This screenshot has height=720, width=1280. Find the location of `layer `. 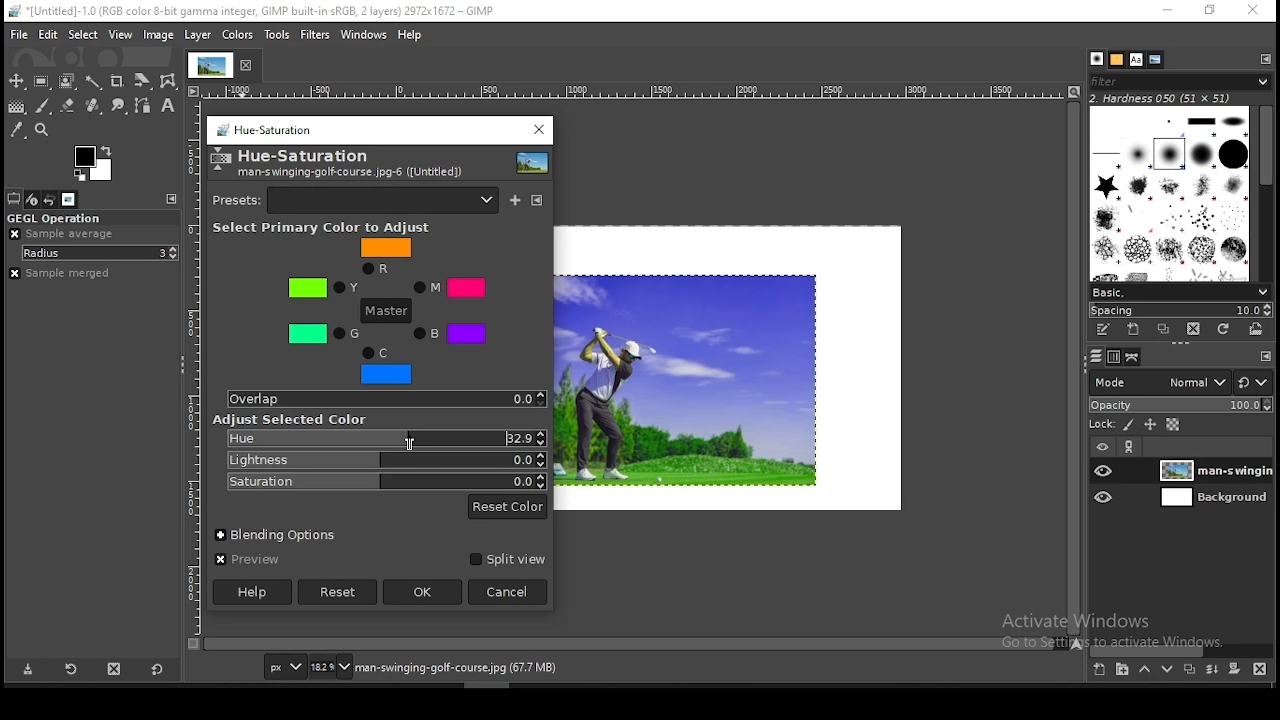

layer  is located at coordinates (1215, 472).